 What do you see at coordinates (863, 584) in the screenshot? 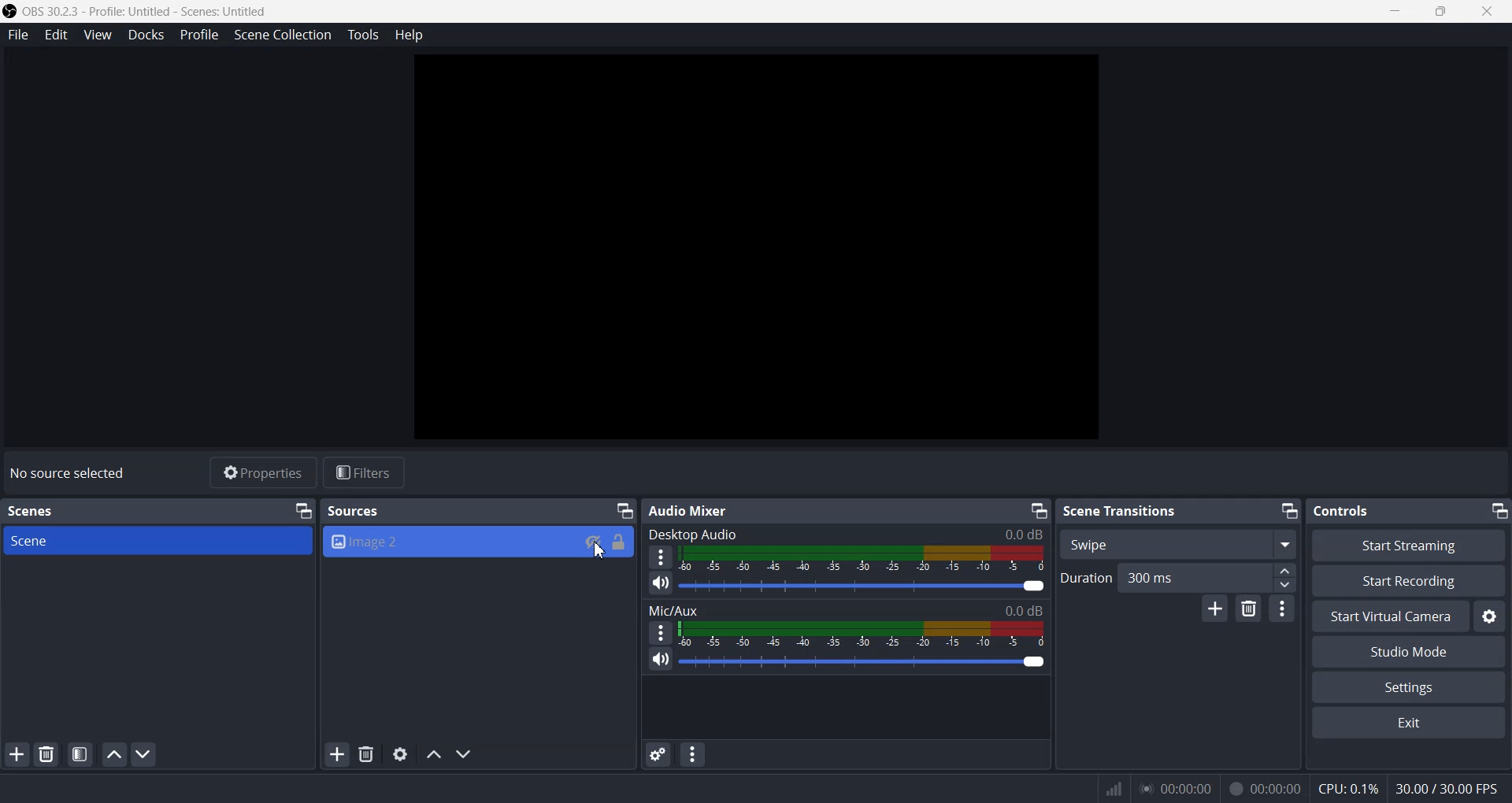
I see `Volume Adjuster` at bounding box center [863, 584].